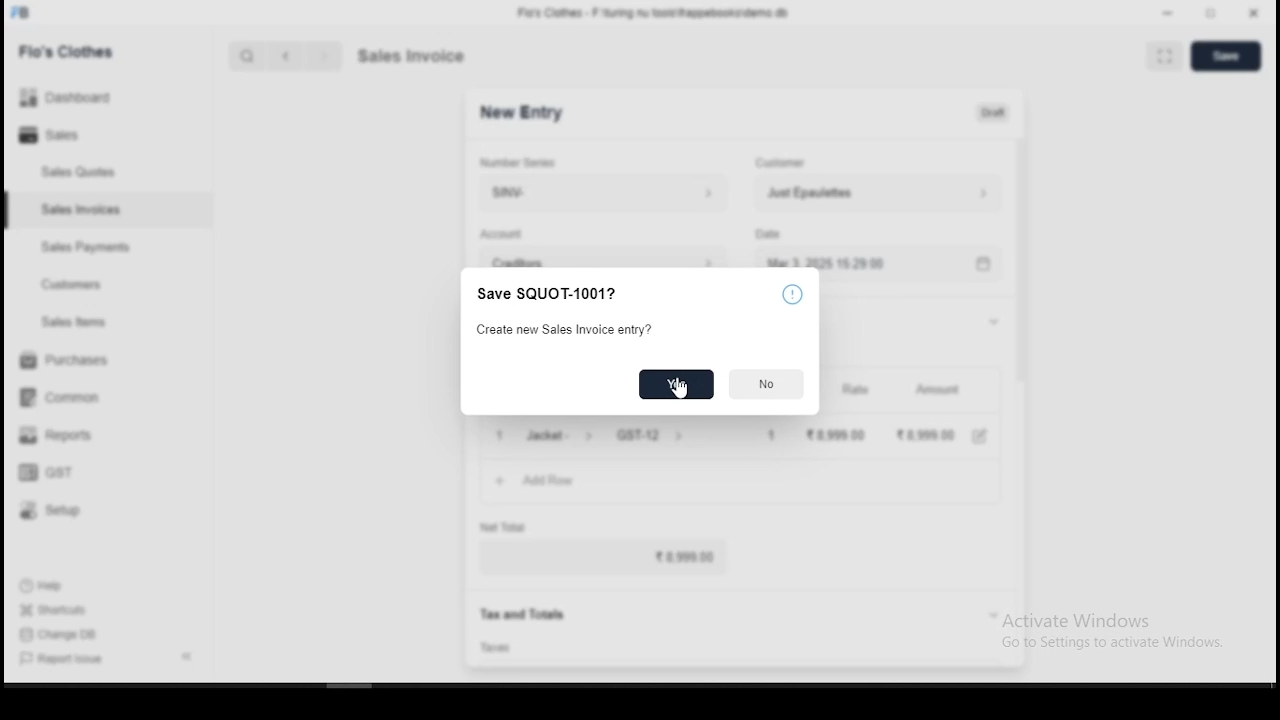  Describe the element at coordinates (676, 384) in the screenshot. I see `cursor` at that location.